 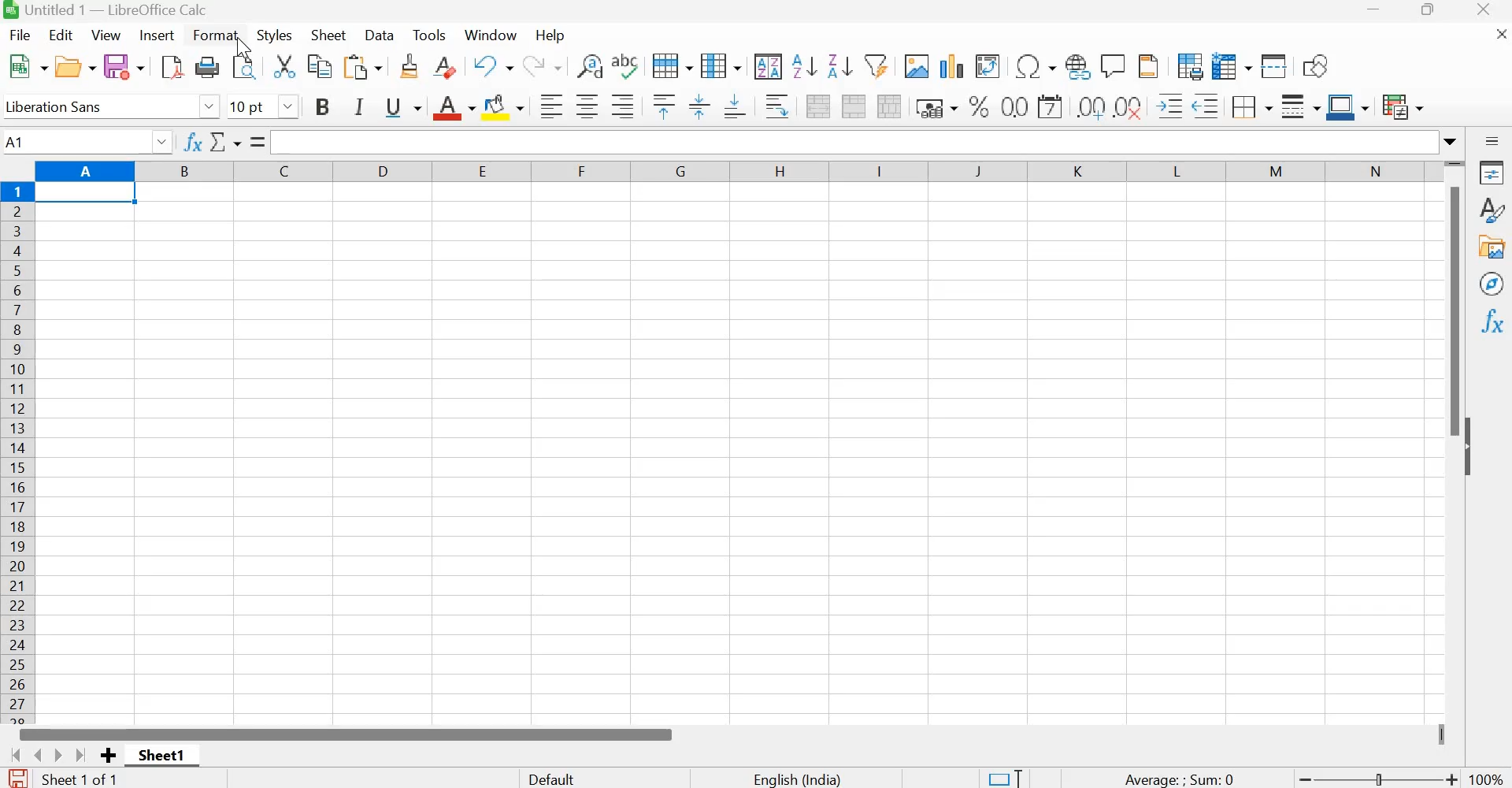 What do you see at coordinates (490, 33) in the screenshot?
I see `Window` at bounding box center [490, 33].